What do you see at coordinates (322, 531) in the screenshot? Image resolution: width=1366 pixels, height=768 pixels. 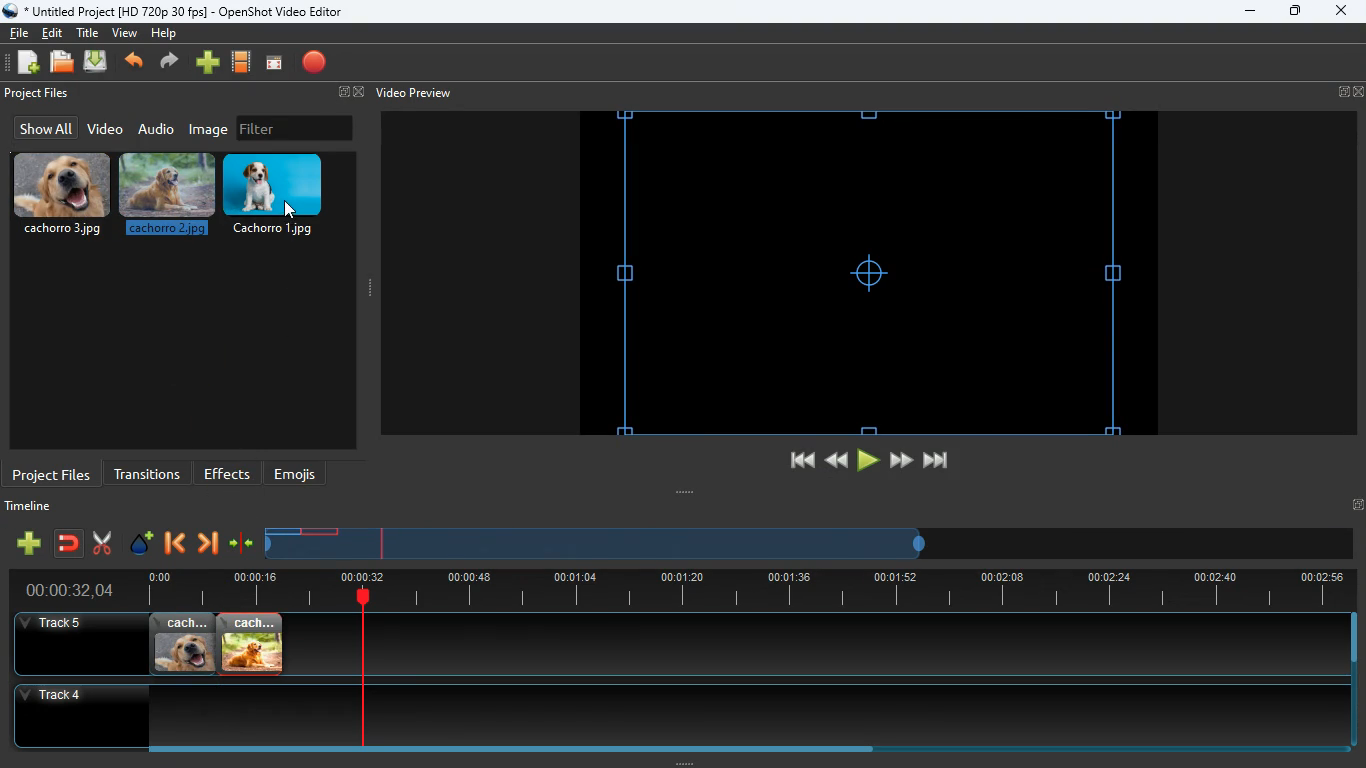 I see `image 2 timeline` at bounding box center [322, 531].